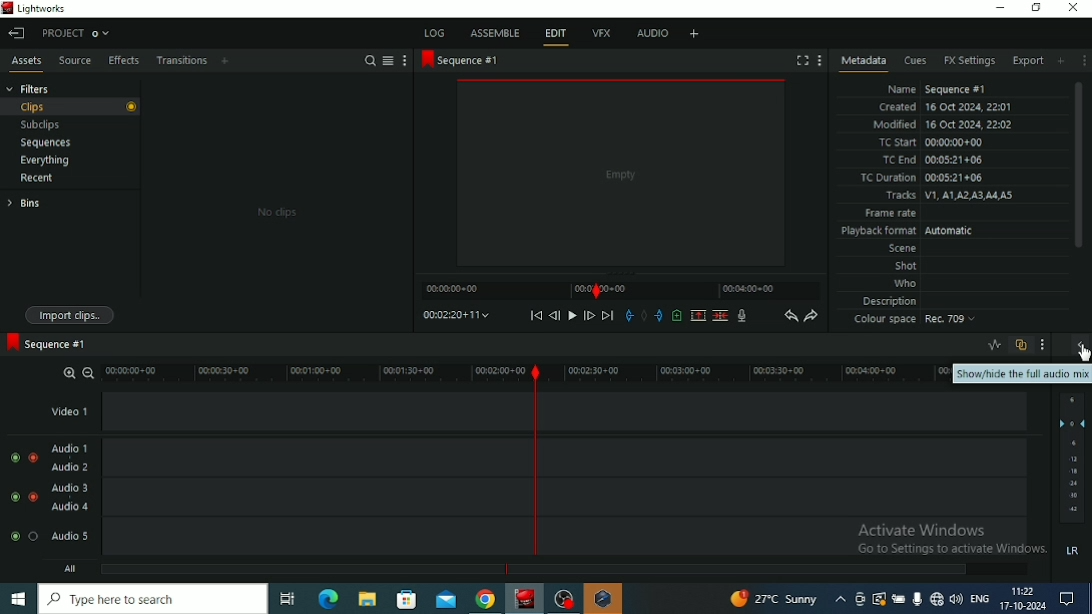  Describe the element at coordinates (605, 598) in the screenshot. I see `Taskbar icon` at that location.